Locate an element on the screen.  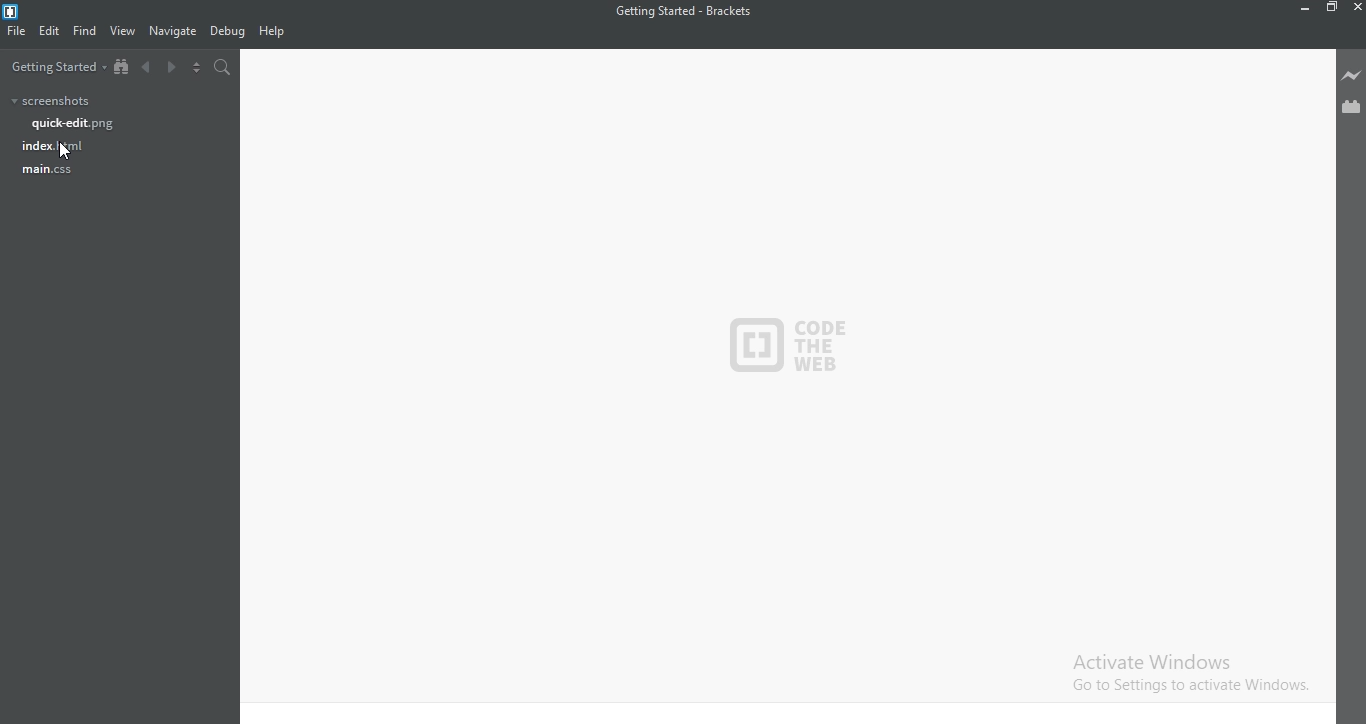
cursor is located at coordinates (67, 150).